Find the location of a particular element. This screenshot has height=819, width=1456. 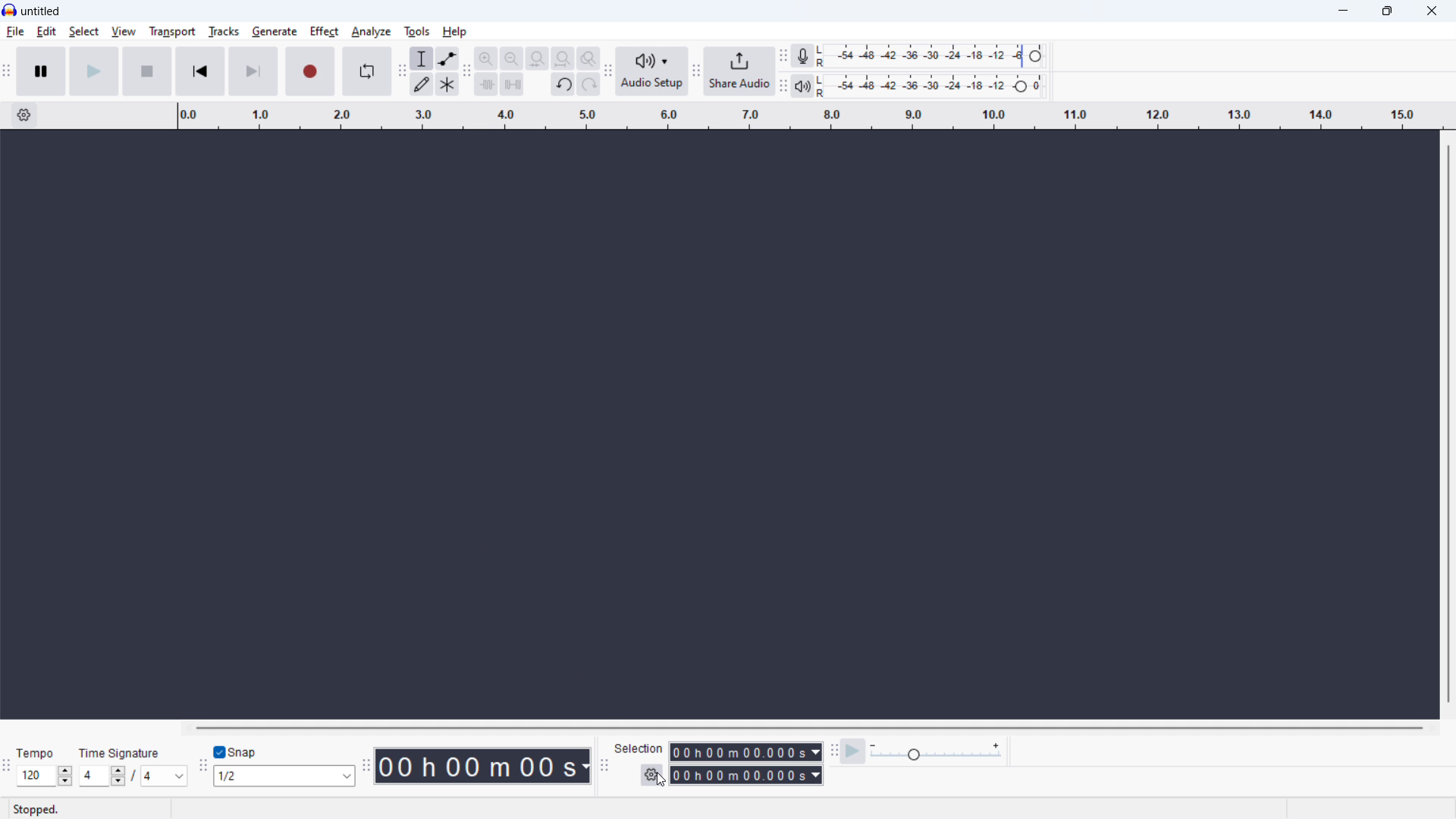

time signature toolbar is located at coordinates (8, 769).